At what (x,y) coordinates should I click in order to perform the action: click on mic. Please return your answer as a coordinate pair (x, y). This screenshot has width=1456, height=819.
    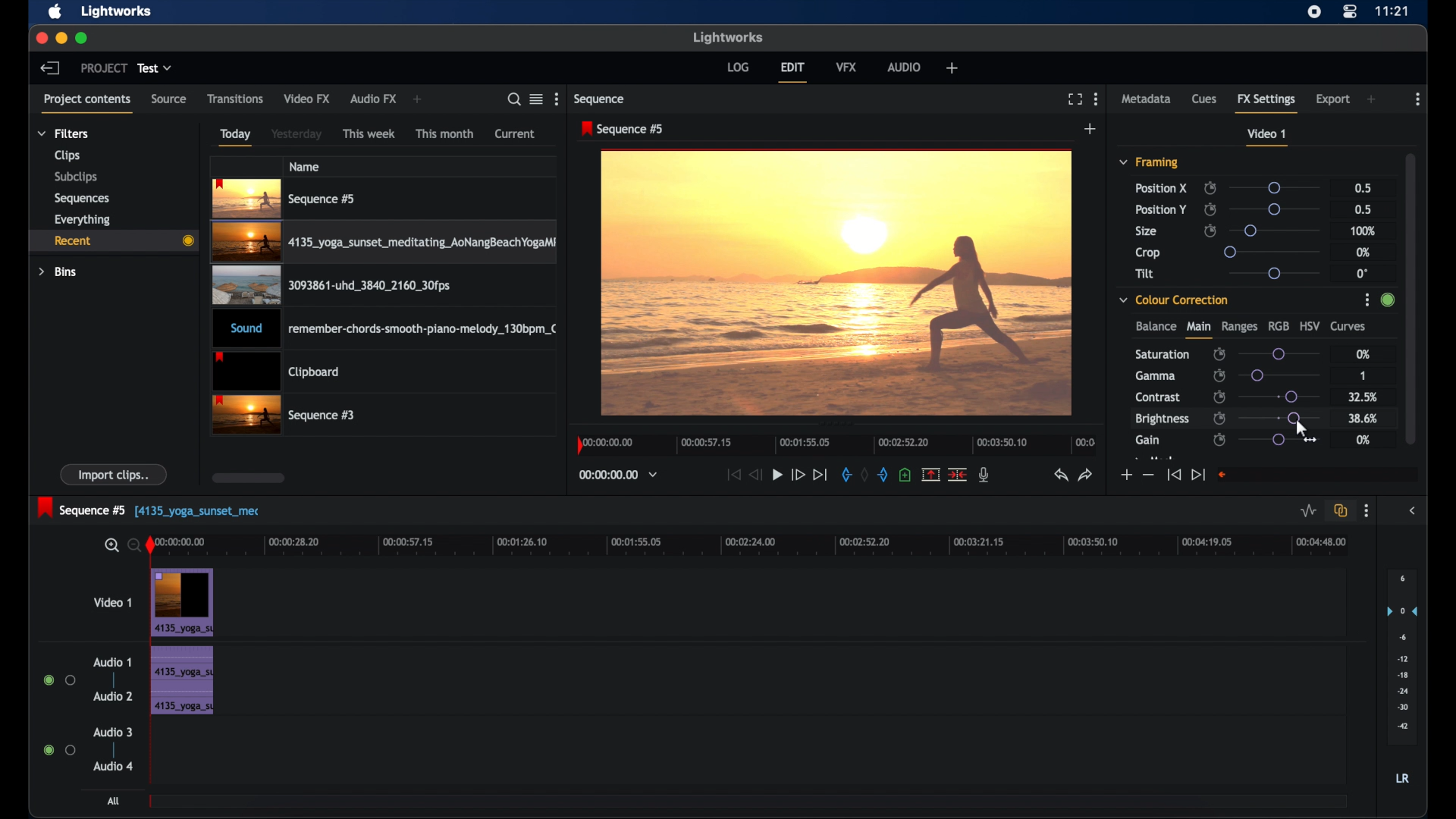
    Looking at the image, I should click on (984, 474).